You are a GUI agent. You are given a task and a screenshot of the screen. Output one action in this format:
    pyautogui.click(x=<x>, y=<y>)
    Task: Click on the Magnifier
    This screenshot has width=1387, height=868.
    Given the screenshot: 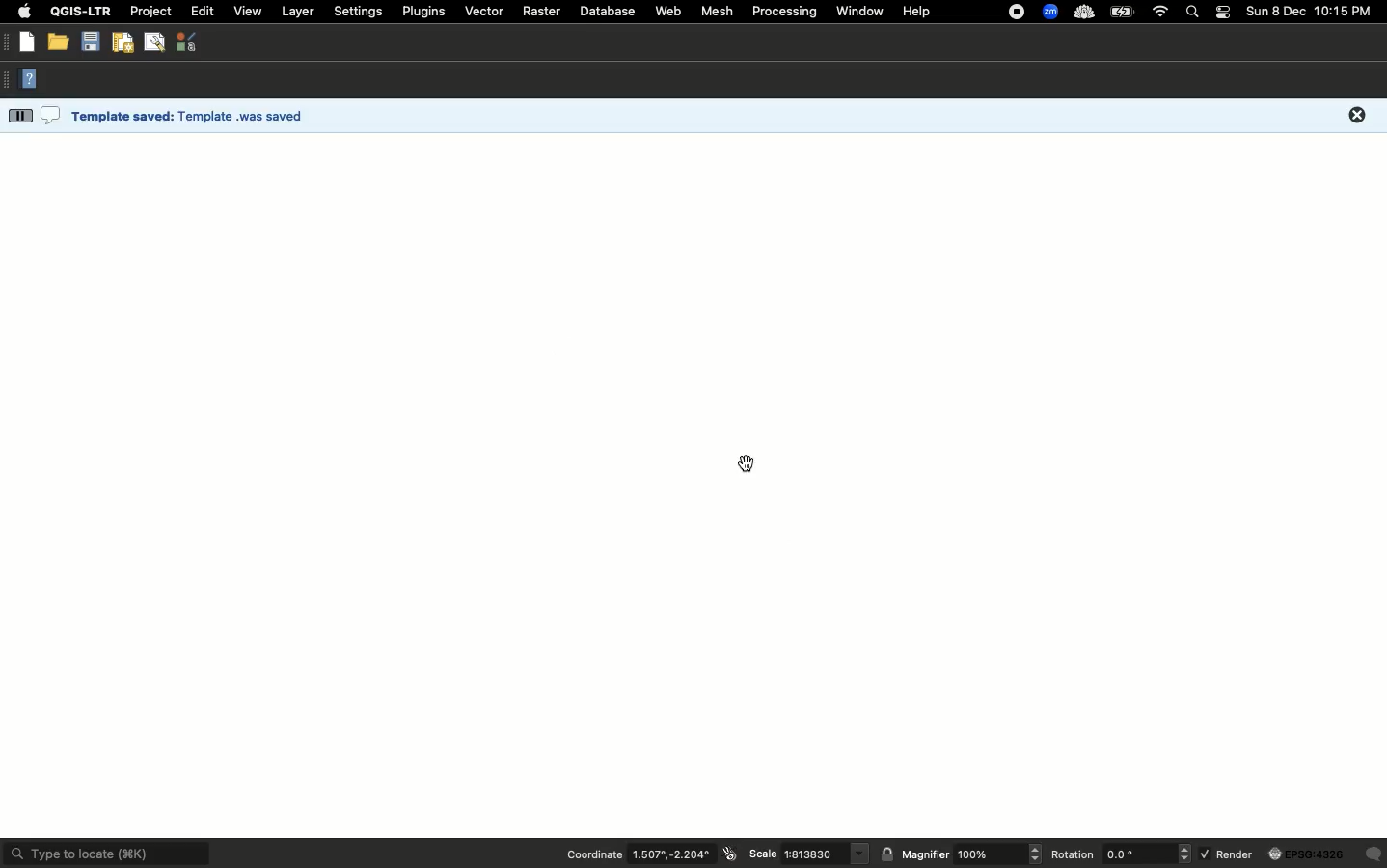 What is the action you would take?
    pyautogui.click(x=924, y=853)
    